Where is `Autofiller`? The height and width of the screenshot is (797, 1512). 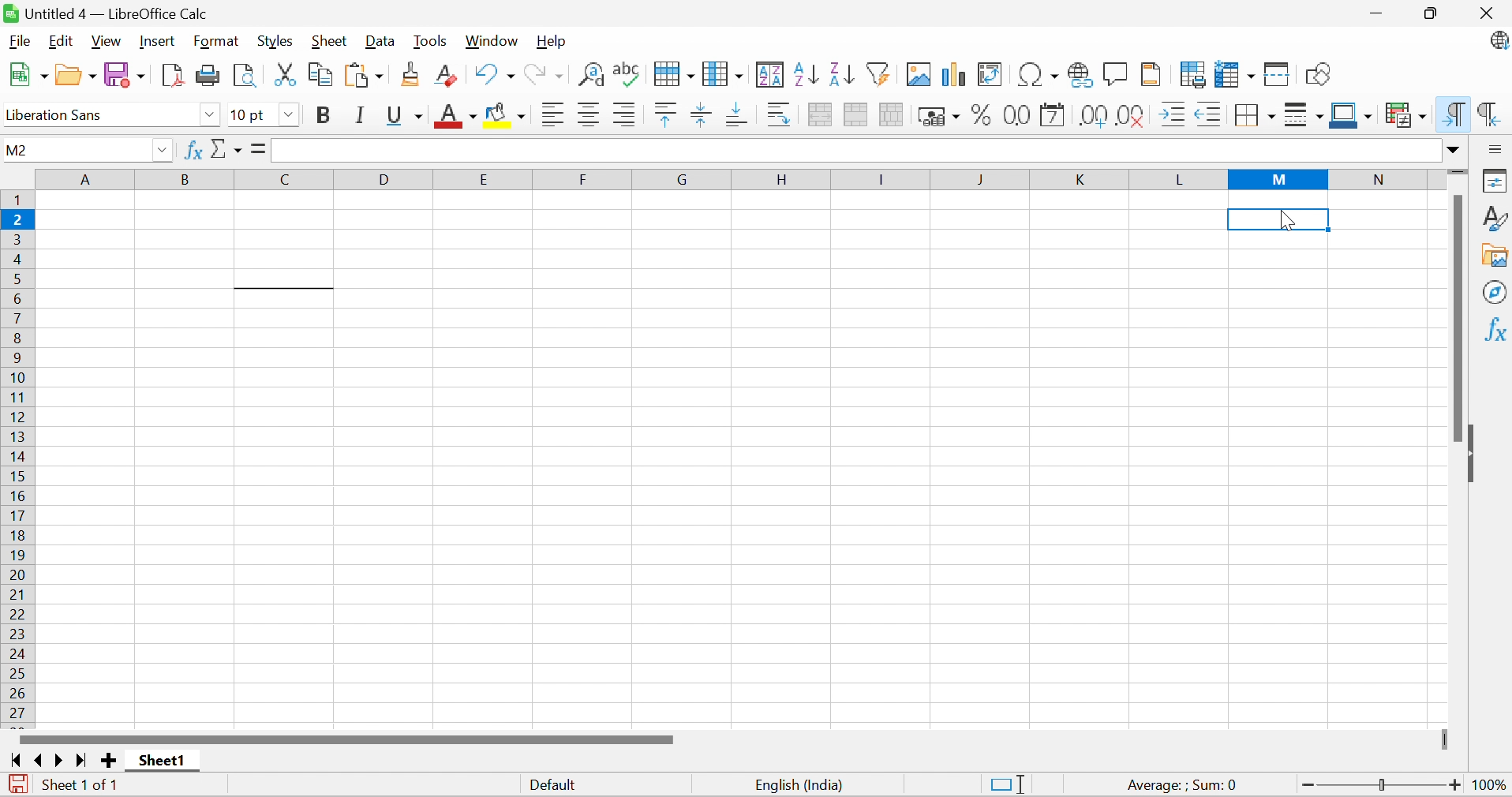 Autofiller is located at coordinates (877, 73).